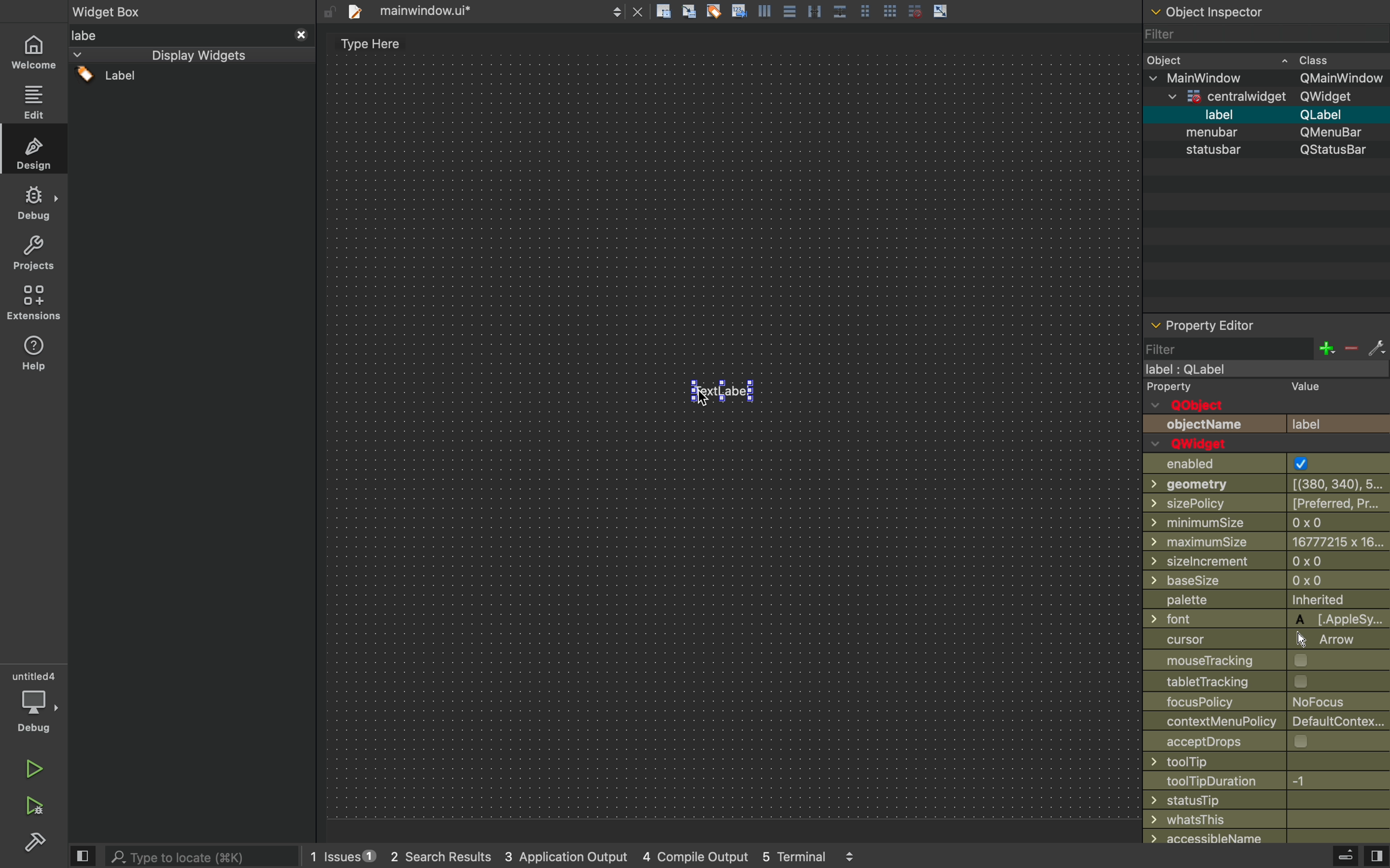  Describe the element at coordinates (33, 99) in the screenshot. I see `edit` at that location.